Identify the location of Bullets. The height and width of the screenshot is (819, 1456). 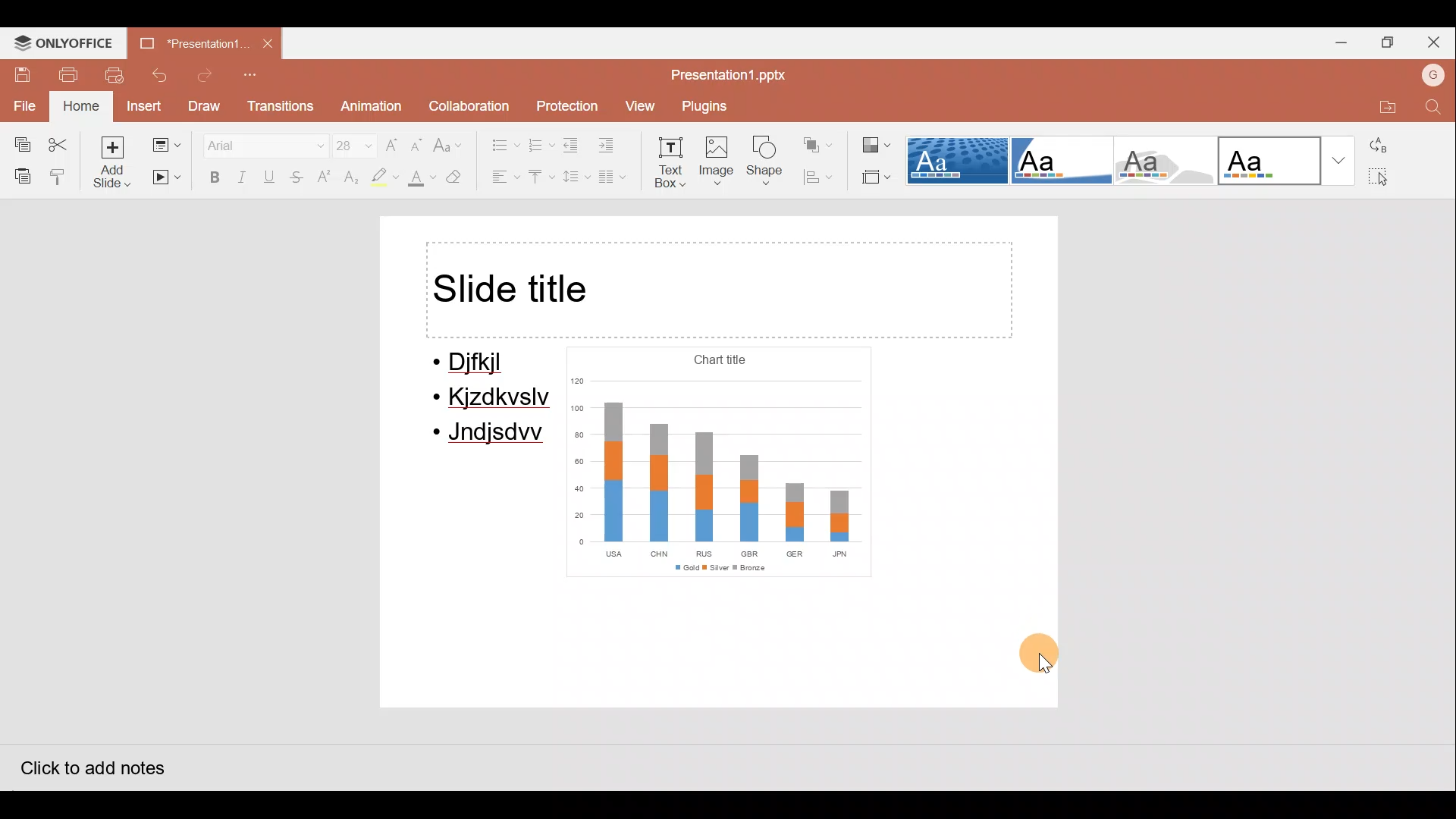
(499, 142).